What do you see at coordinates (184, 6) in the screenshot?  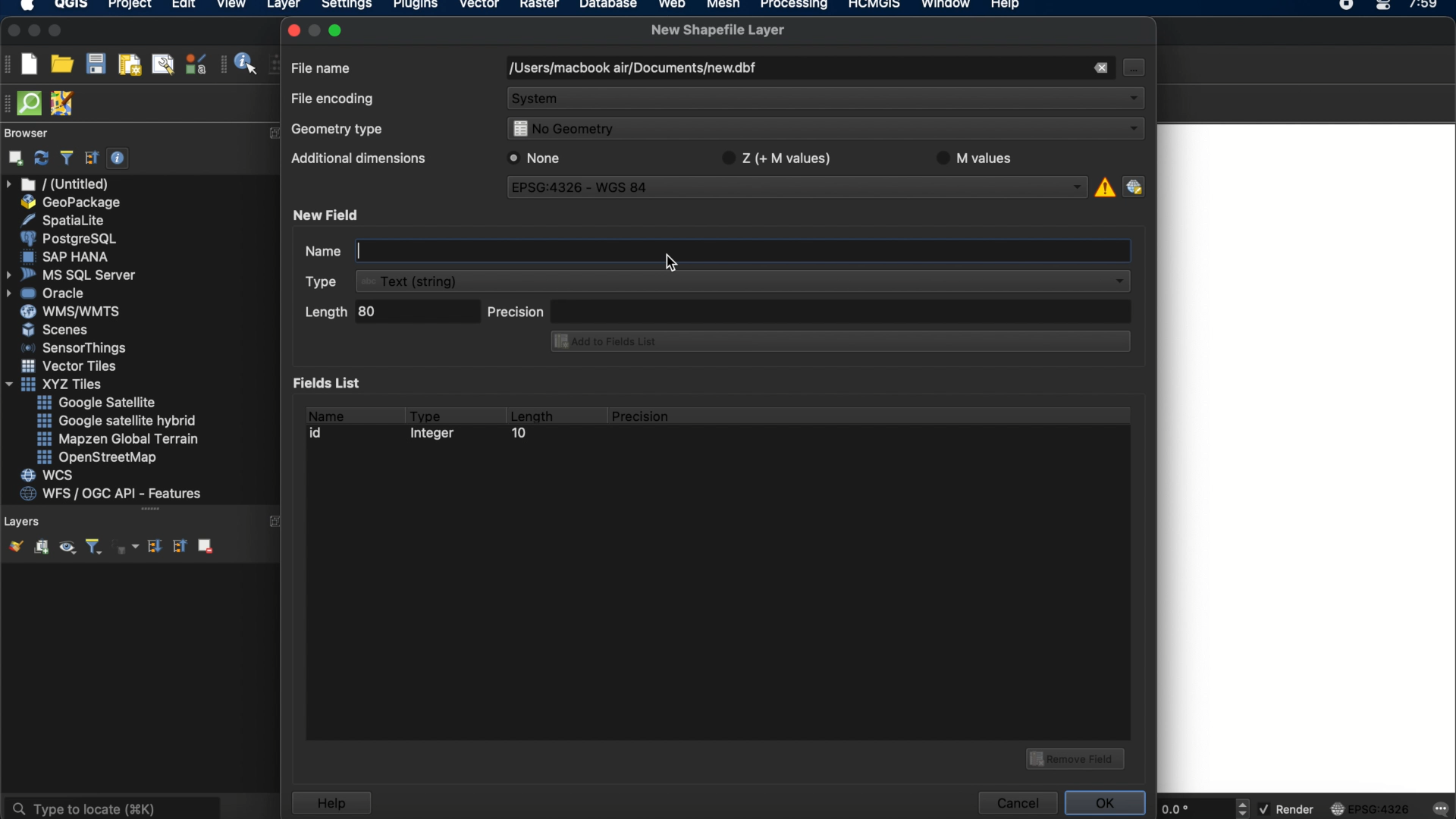 I see `edit` at bounding box center [184, 6].